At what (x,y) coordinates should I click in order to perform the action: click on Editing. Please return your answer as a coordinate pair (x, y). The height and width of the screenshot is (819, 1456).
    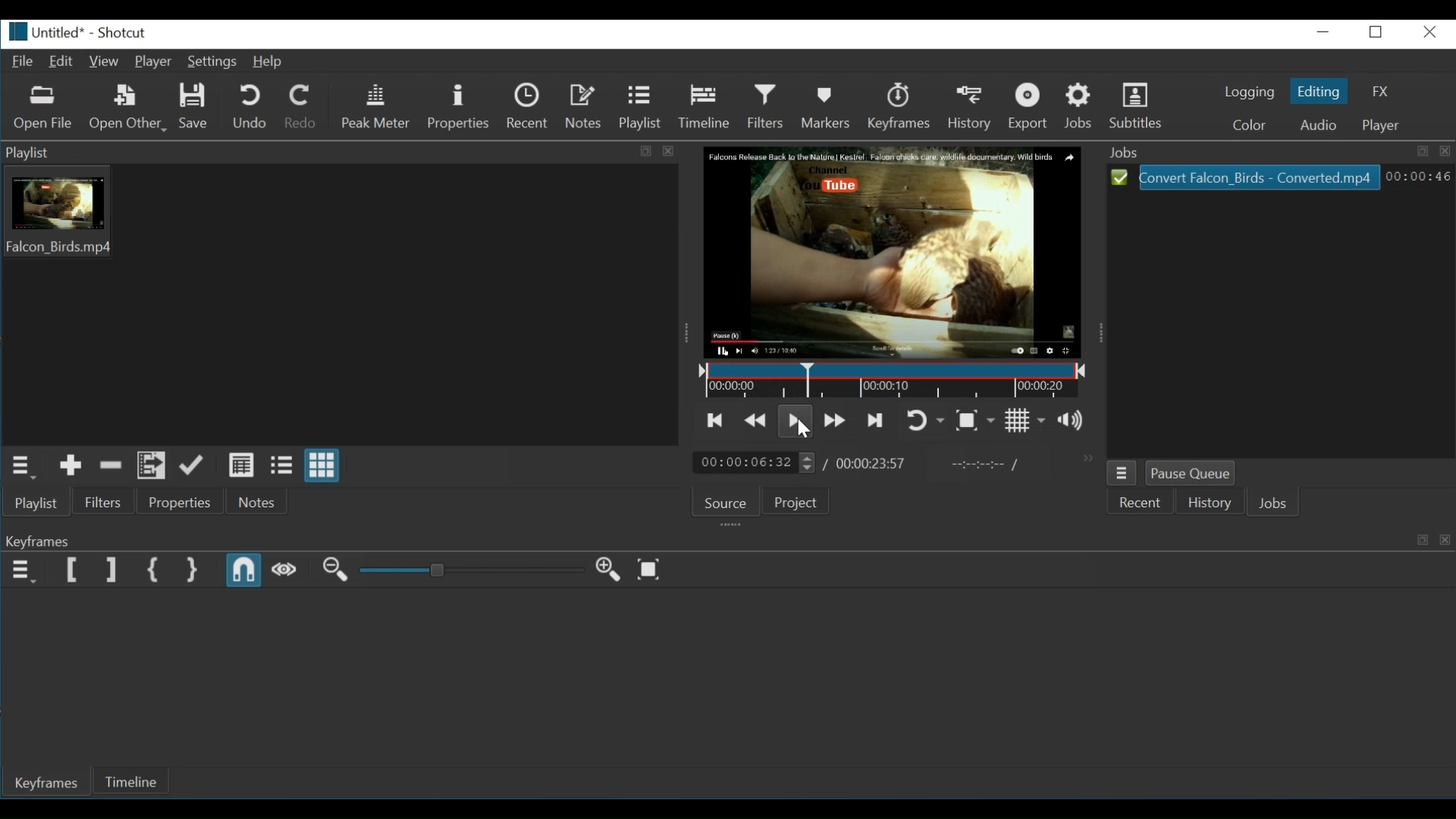
    Looking at the image, I should click on (1320, 91).